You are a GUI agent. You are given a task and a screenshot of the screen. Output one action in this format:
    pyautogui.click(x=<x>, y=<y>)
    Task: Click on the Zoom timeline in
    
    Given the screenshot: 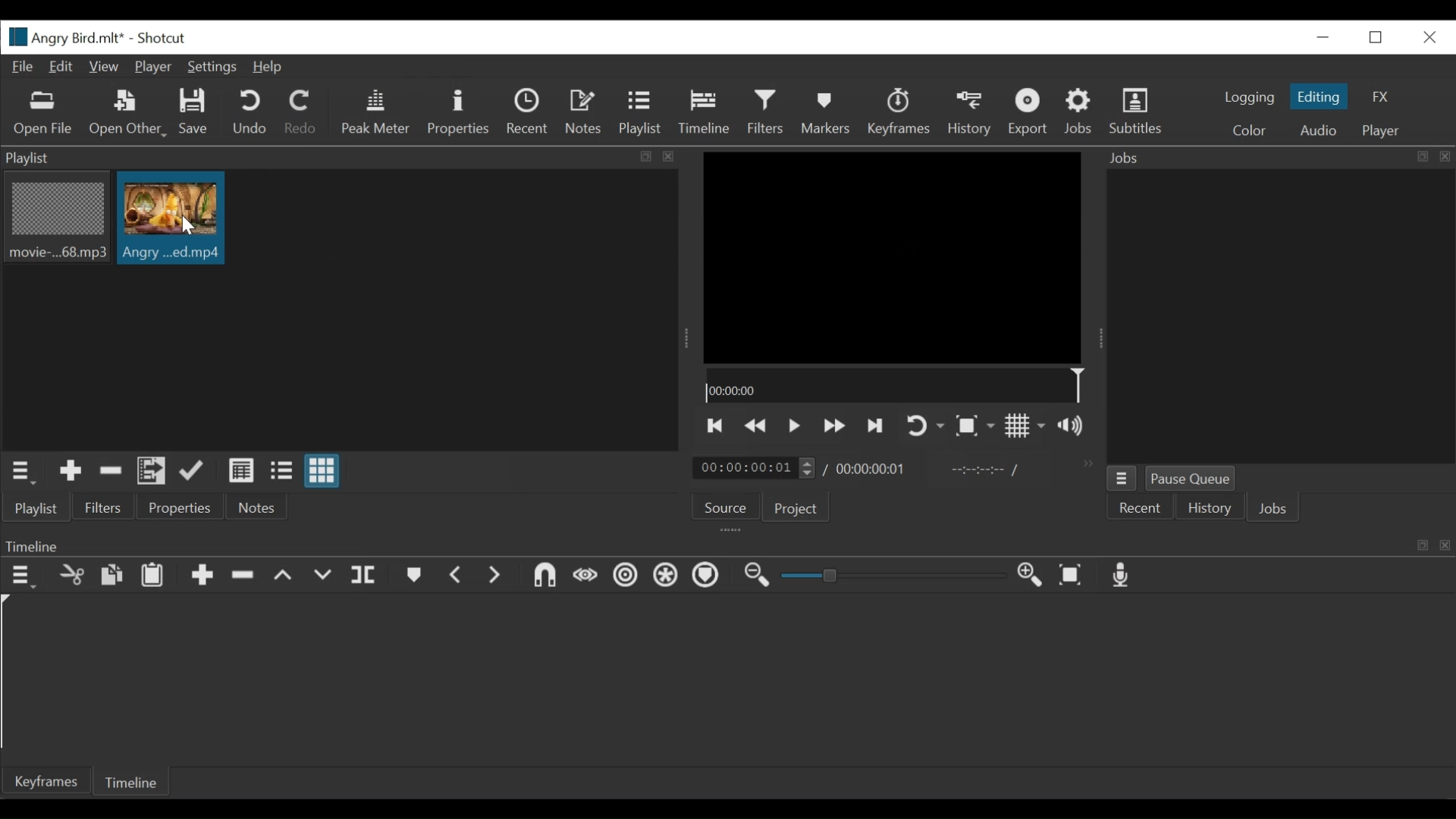 What is the action you would take?
    pyautogui.click(x=1032, y=576)
    